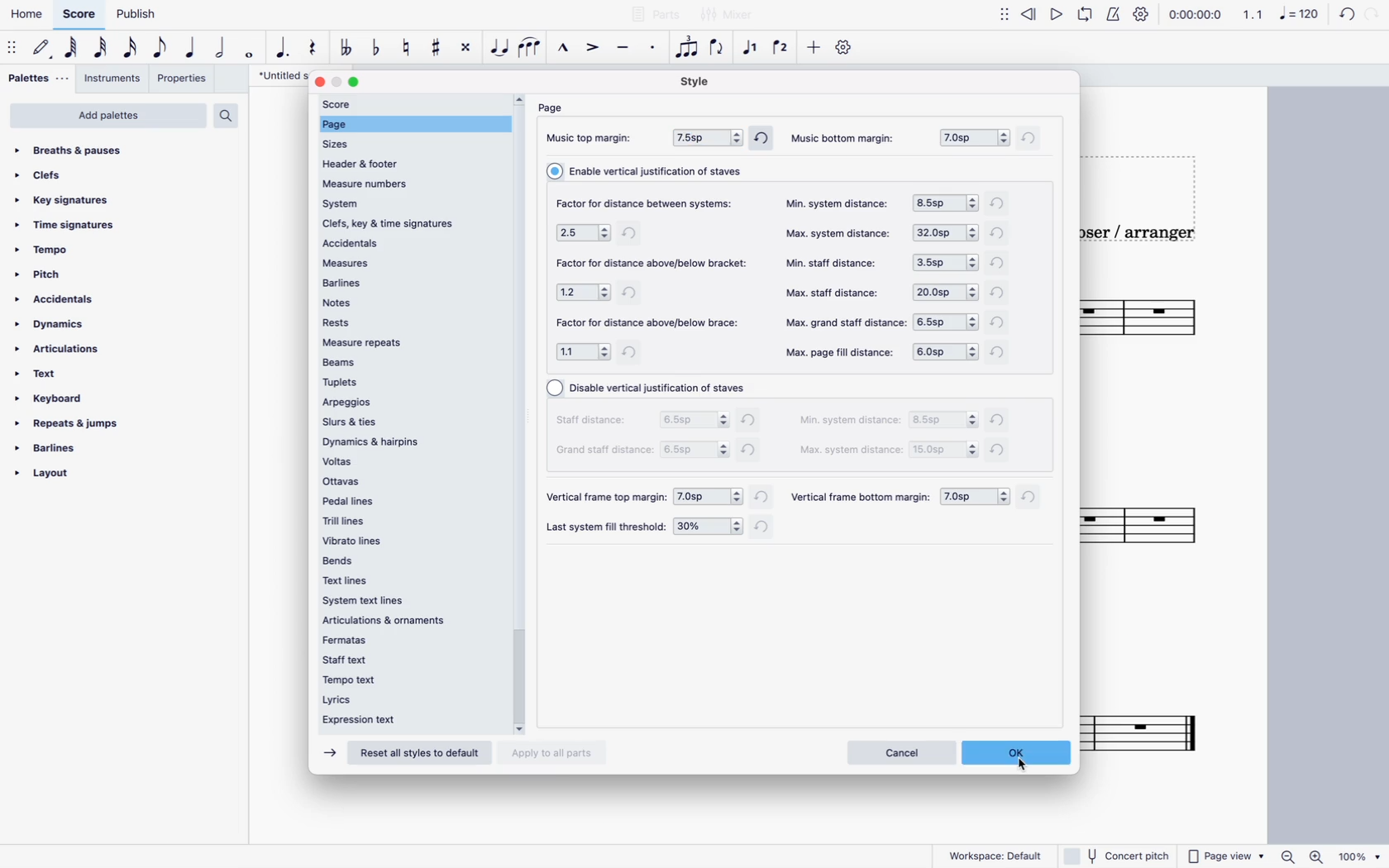 This screenshot has width=1389, height=868. What do you see at coordinates (947, 321) in the screenshot?
I see `options` at bounding box center [947, 321].